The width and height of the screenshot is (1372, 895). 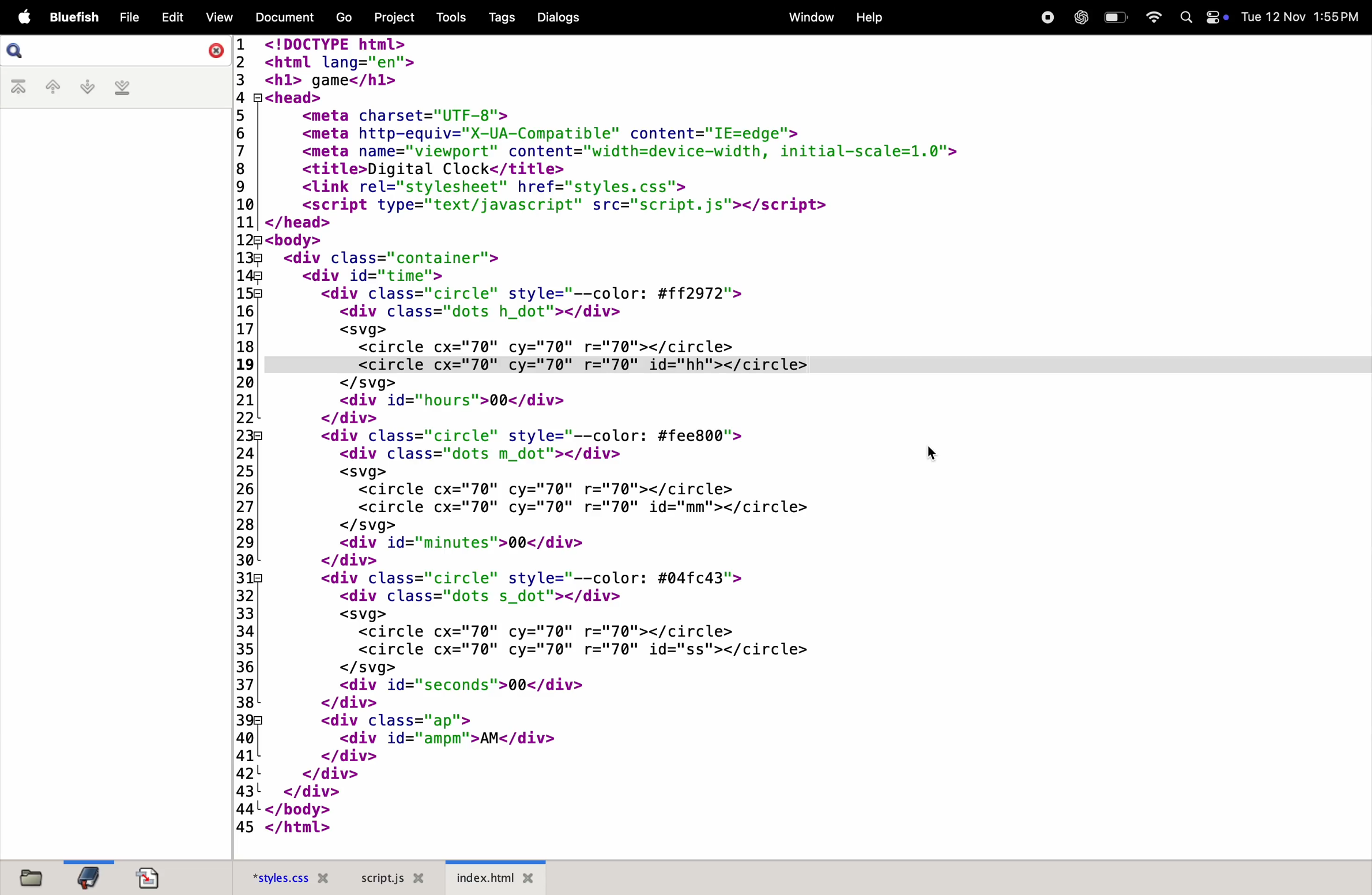 I want to click on style.css, so click(x=287, y=876).